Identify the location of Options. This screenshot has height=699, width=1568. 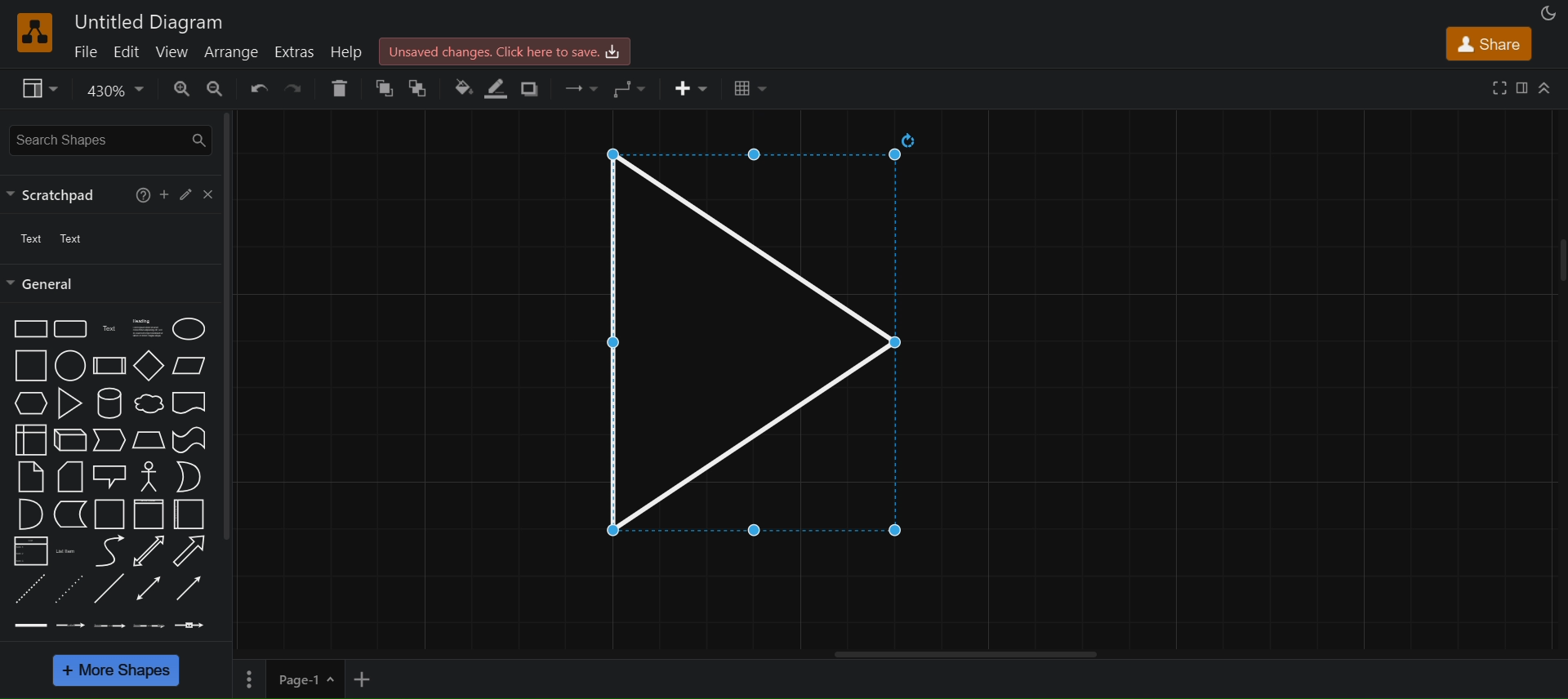
(250, 676).